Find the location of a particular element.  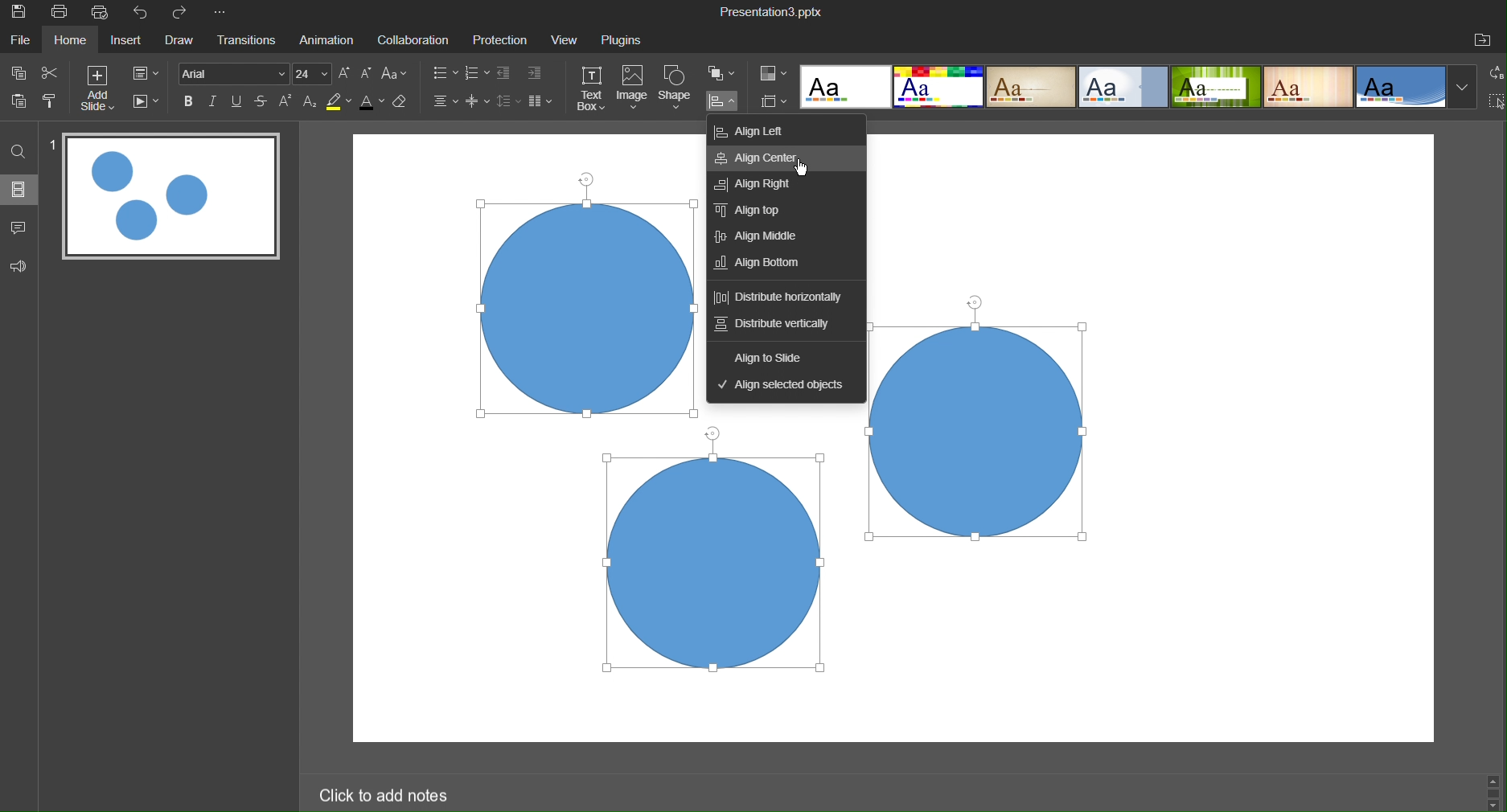

Presentation Title is located at coordinates (771, 12).